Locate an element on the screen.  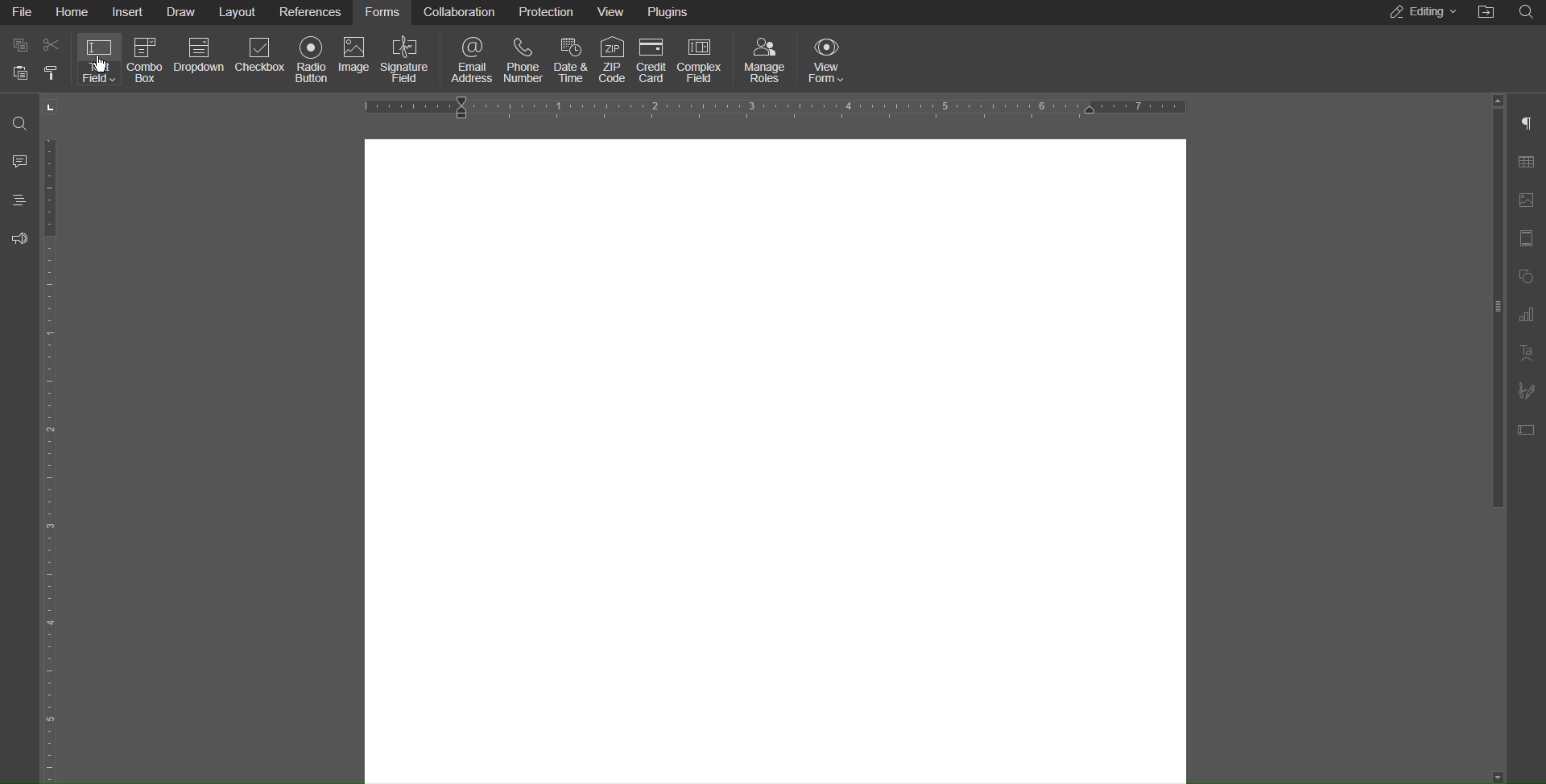
Layout is located at coordinates (240, 13).